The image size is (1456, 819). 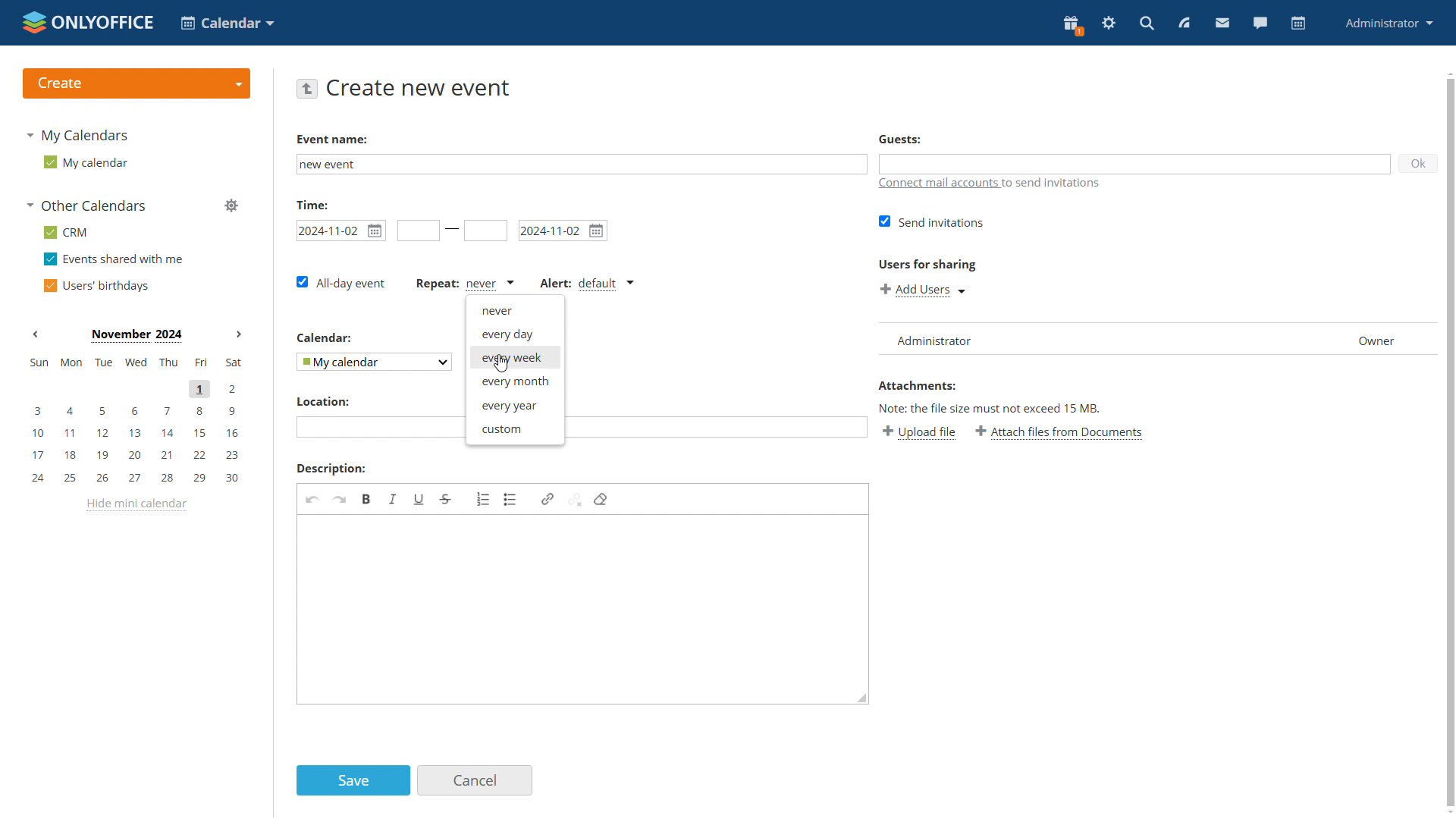 What do you see at coordinates (416, 230) in the screenshot?
I see `event start time` at bounding box center [416, 230].